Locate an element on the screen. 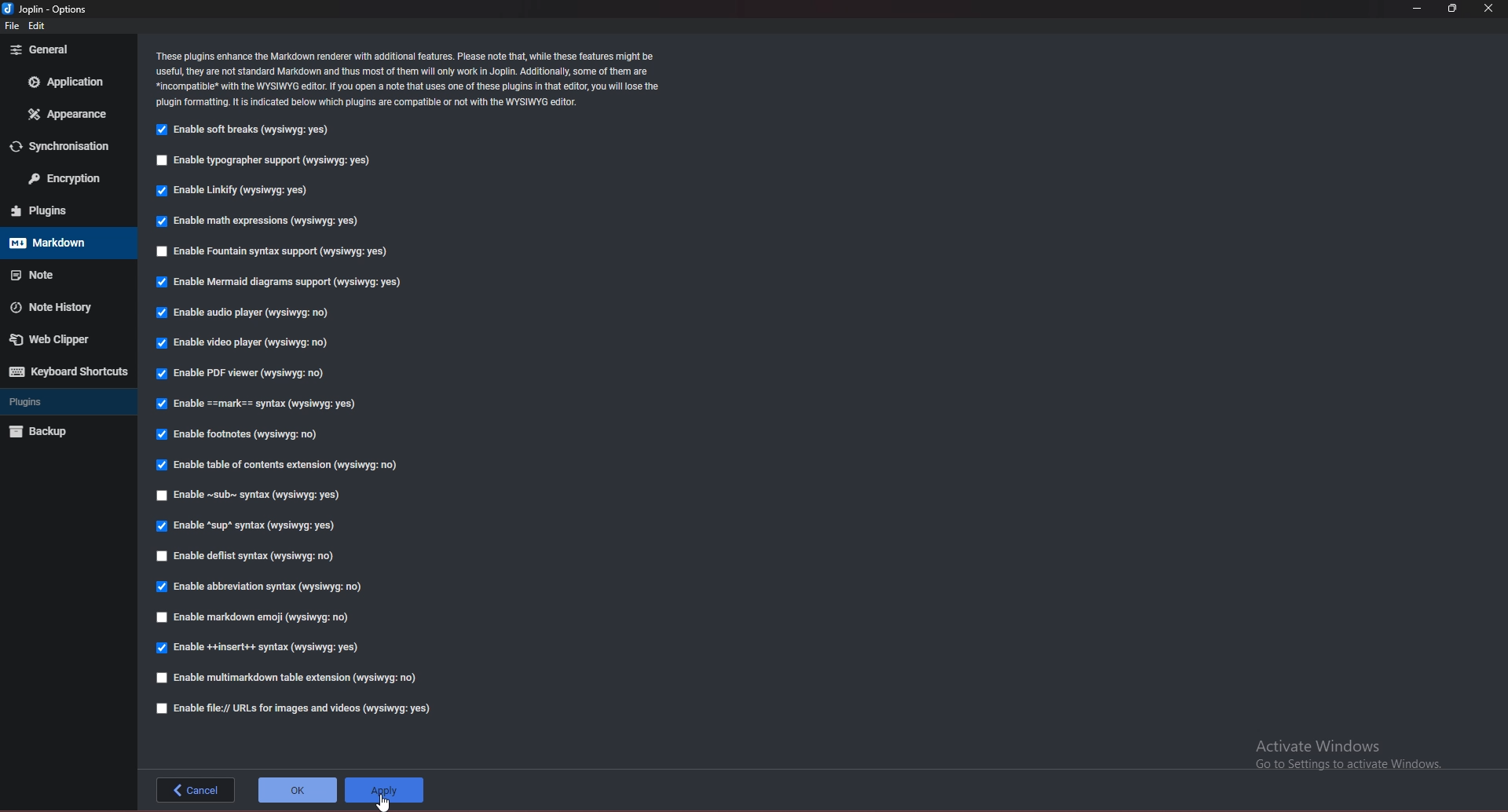 The width and height of the screenshot is (1508, 812). enable insert syntax is located at coordinates (260, 648).